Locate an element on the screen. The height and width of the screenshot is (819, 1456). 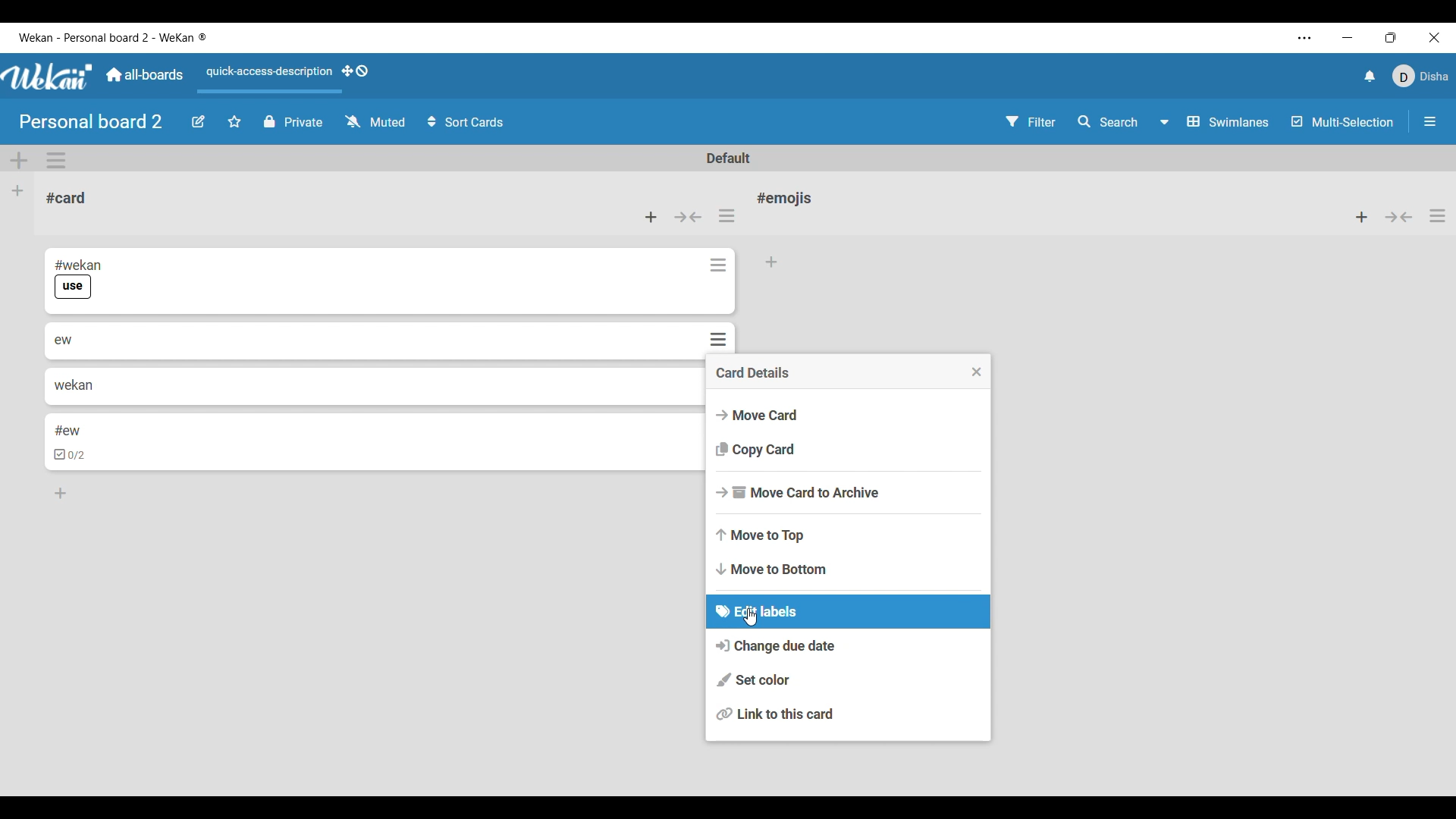
Filter settings is located at coordinates (1031, 121).